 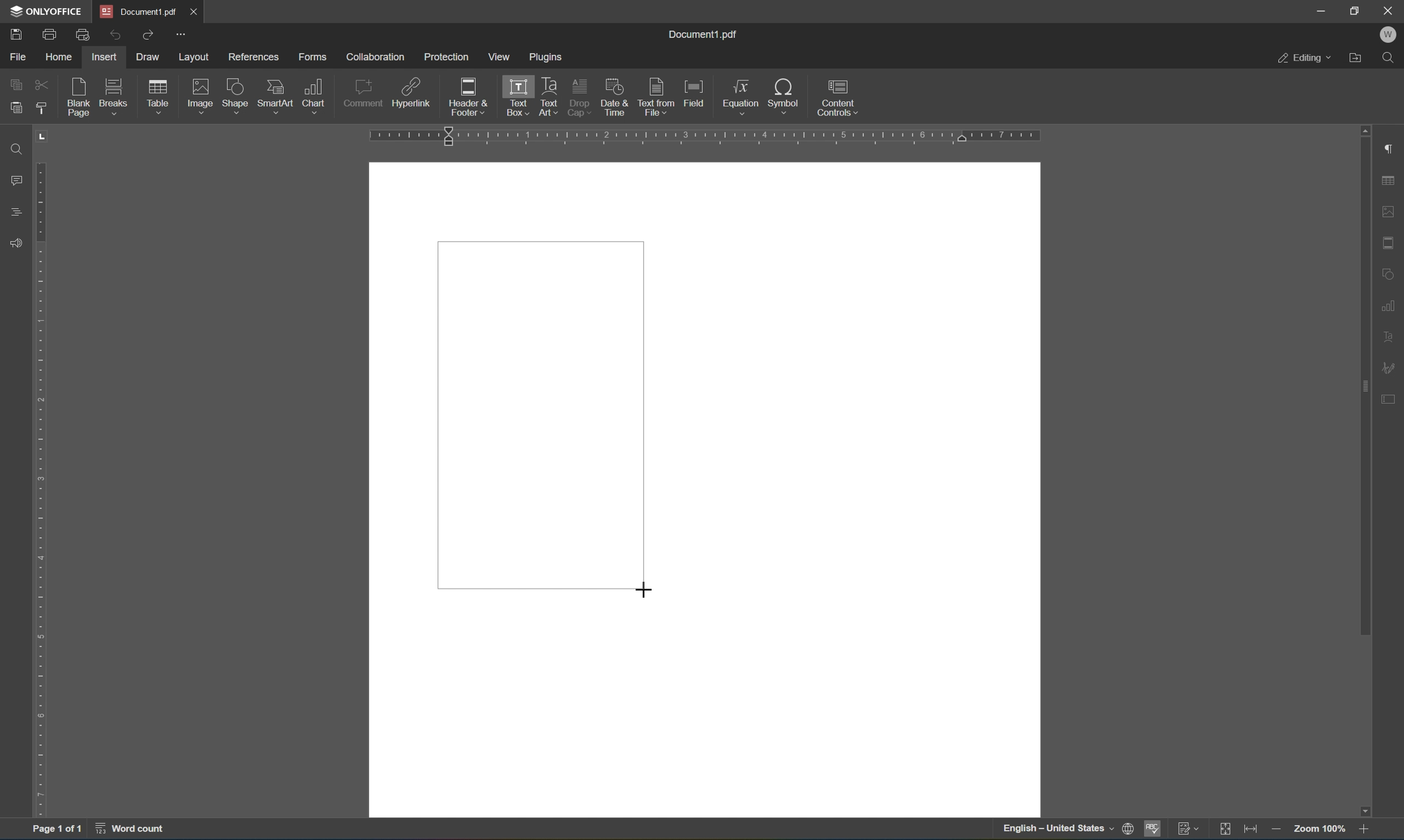 What do you see at coordinates (138, 11) in the screenshot?
I see `Document1.pdf` at bounding box center [138, 11].